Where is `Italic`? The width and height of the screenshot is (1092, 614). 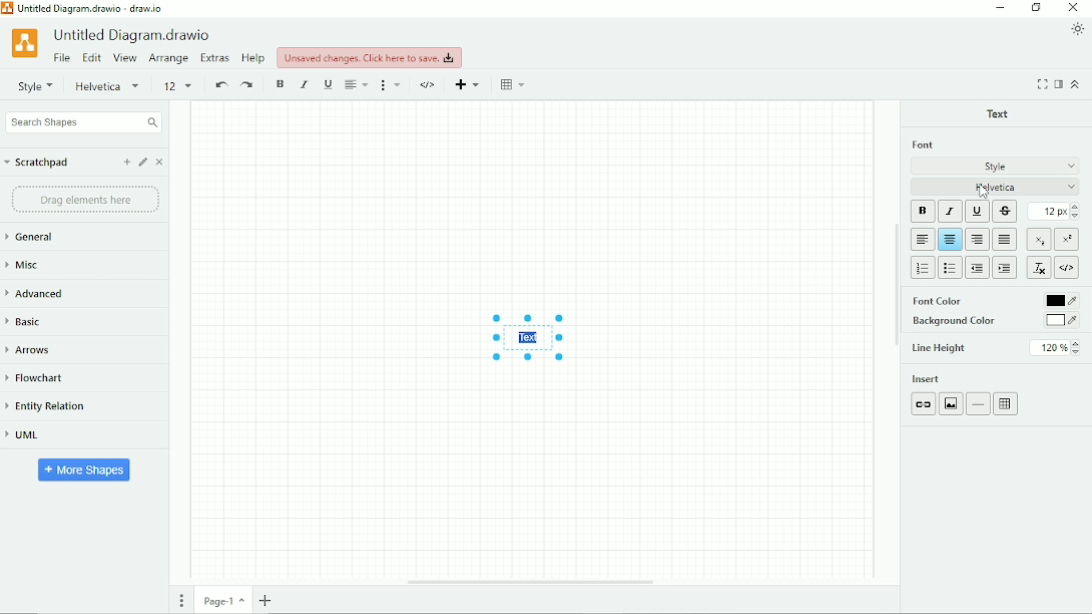 Italic is located at coordinates (950, 211).